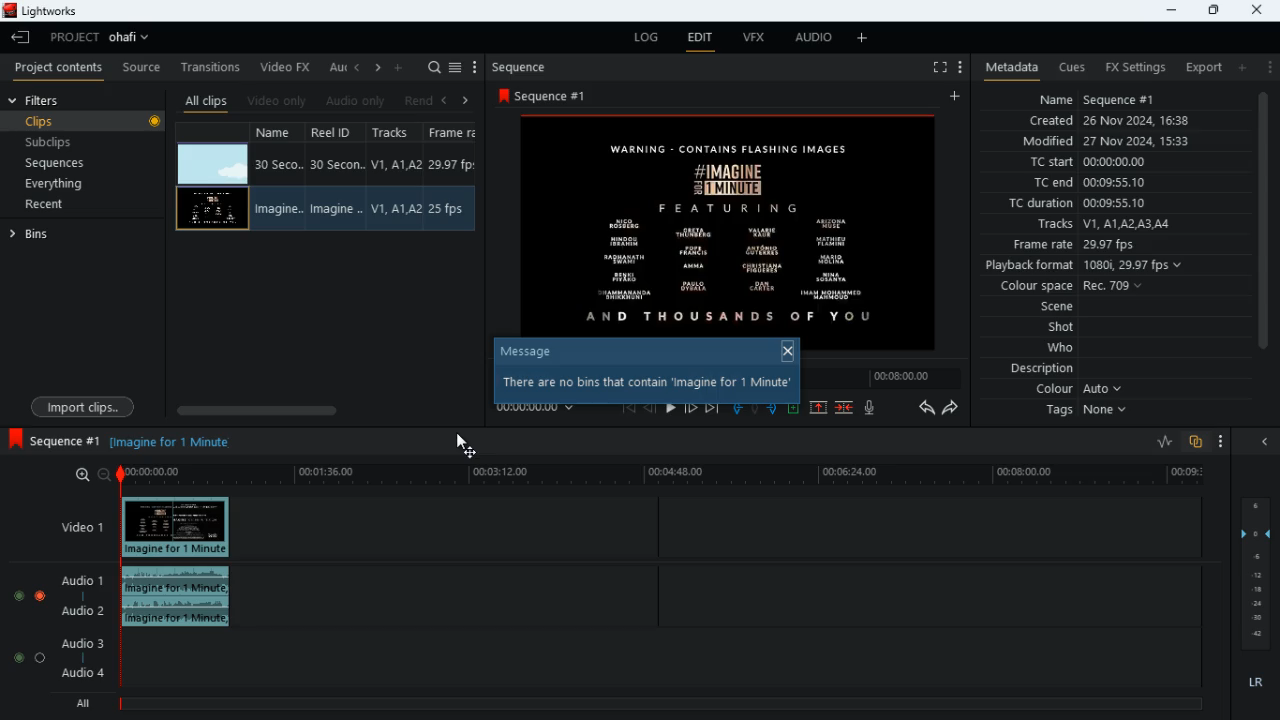 This screenshot has height=720, width=1280. I want to click on zoom, so click(92, 474).